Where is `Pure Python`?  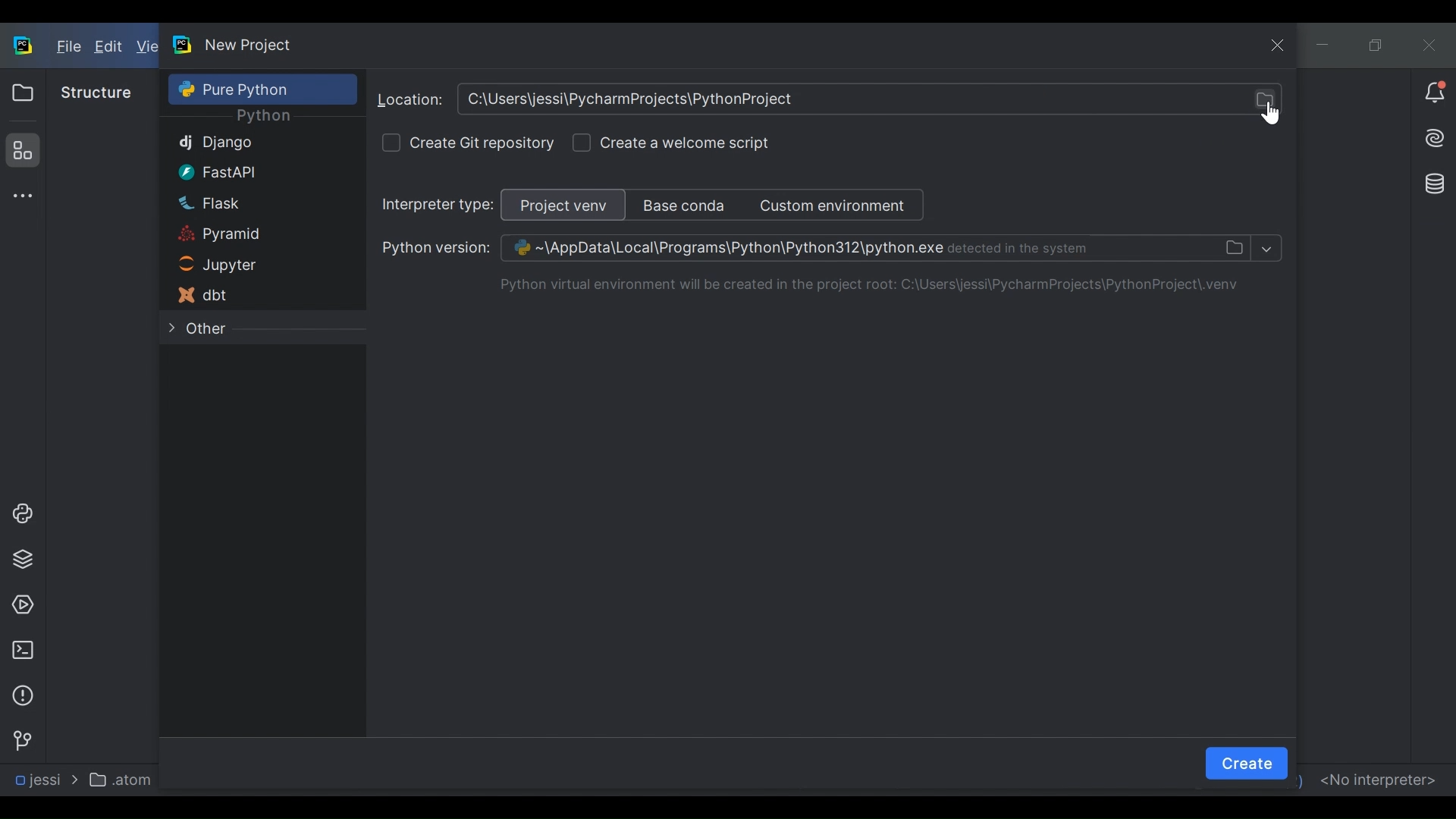 Pure Python is located at coordinates (262, 88).